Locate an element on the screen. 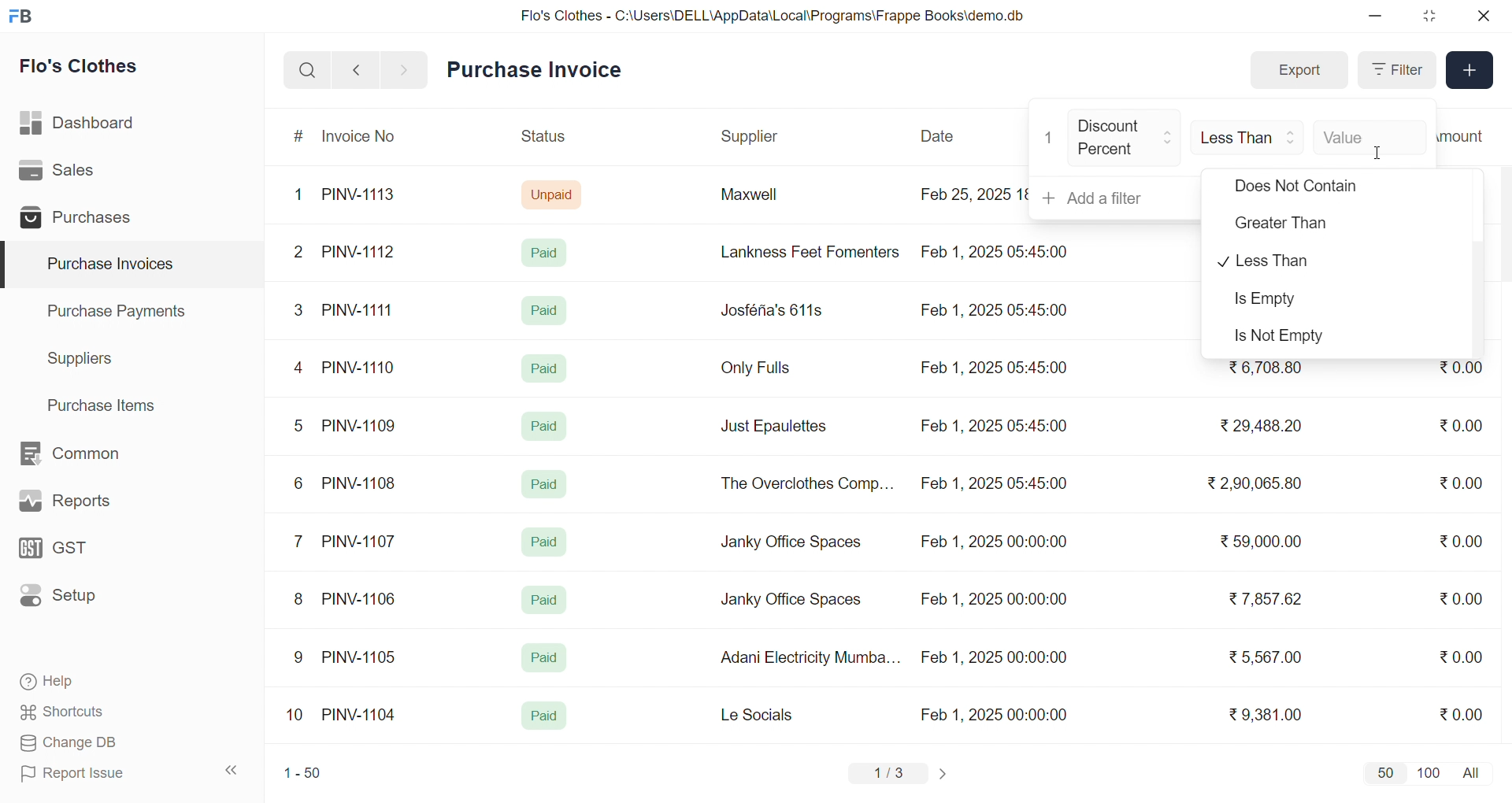 The image size is (1512, 803). Purchase Payments is located at coordinates (121, 310).